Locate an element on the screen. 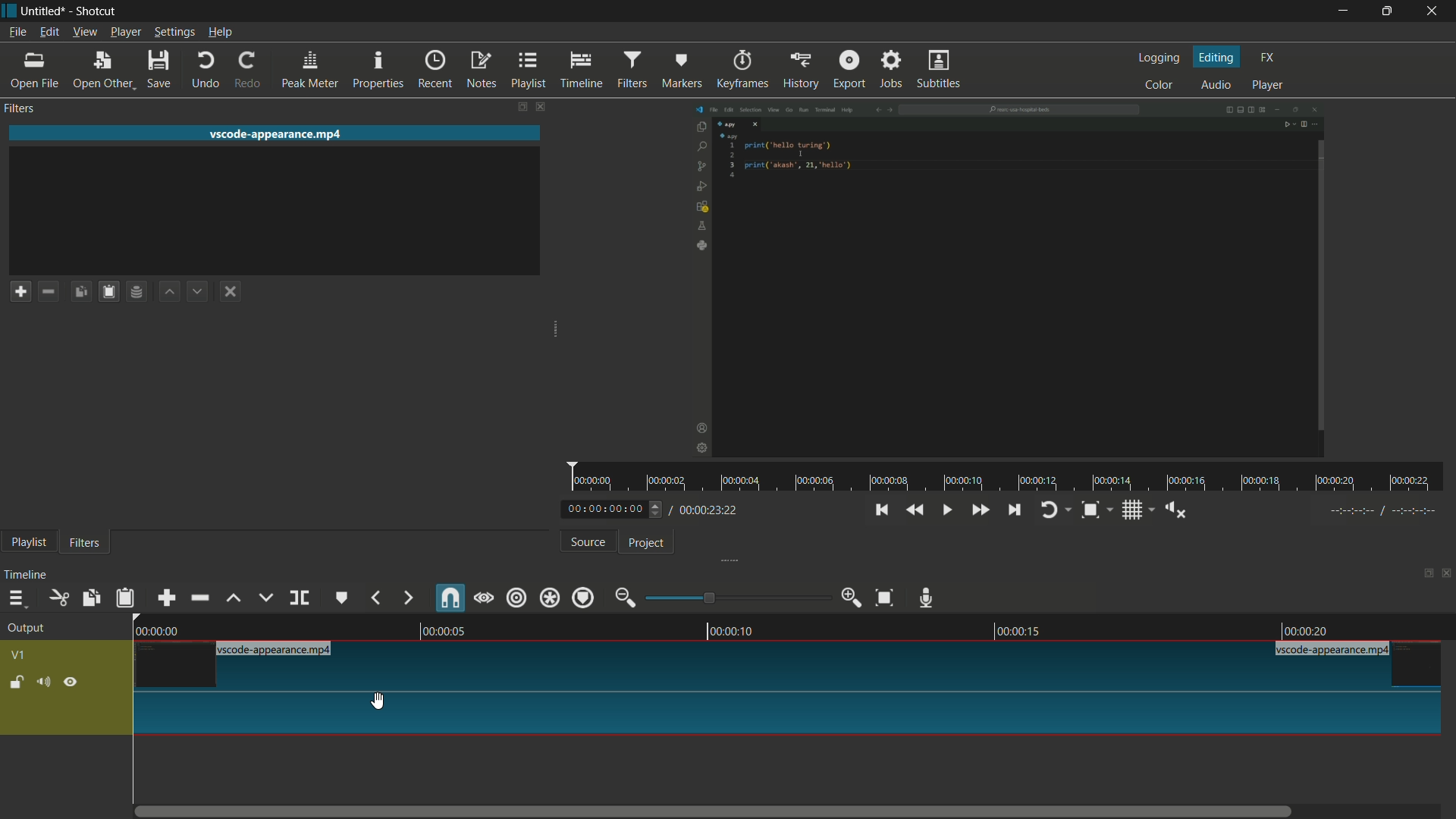  history is located at coordinates (803, 71).